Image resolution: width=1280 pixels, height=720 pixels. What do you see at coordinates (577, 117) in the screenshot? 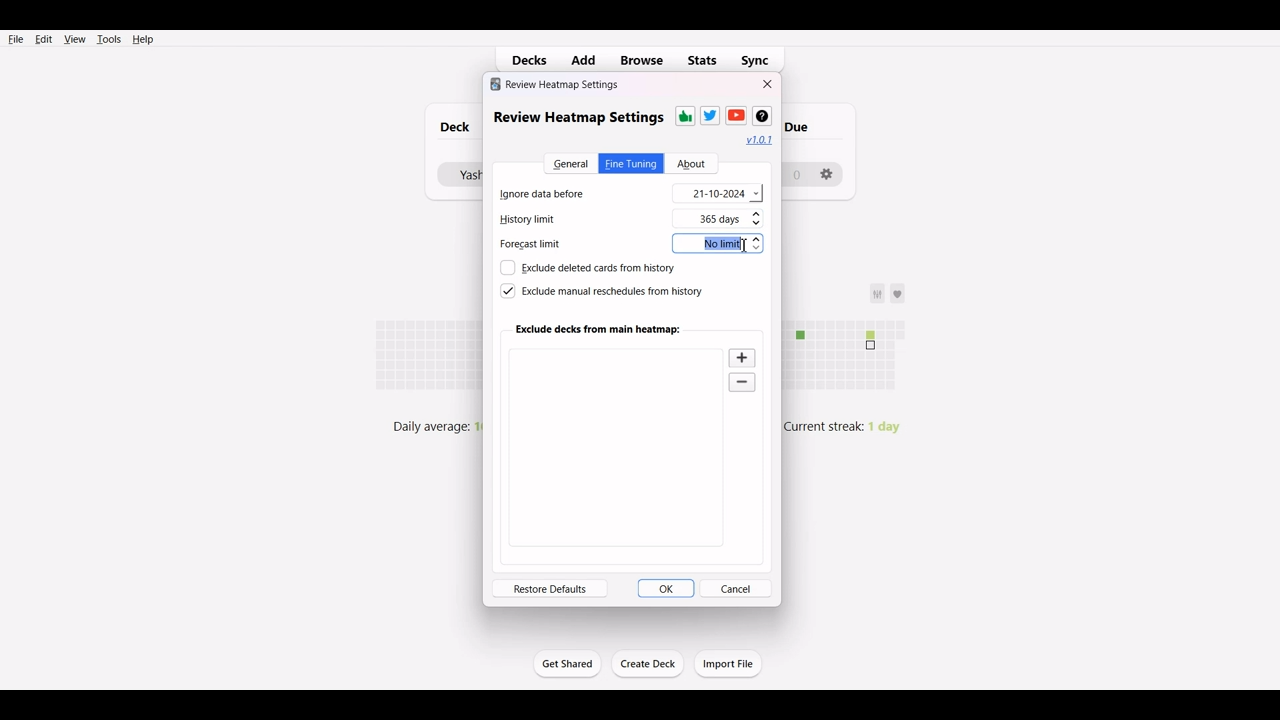
I see `review heatmap settings` at bounding box center [577, 117].